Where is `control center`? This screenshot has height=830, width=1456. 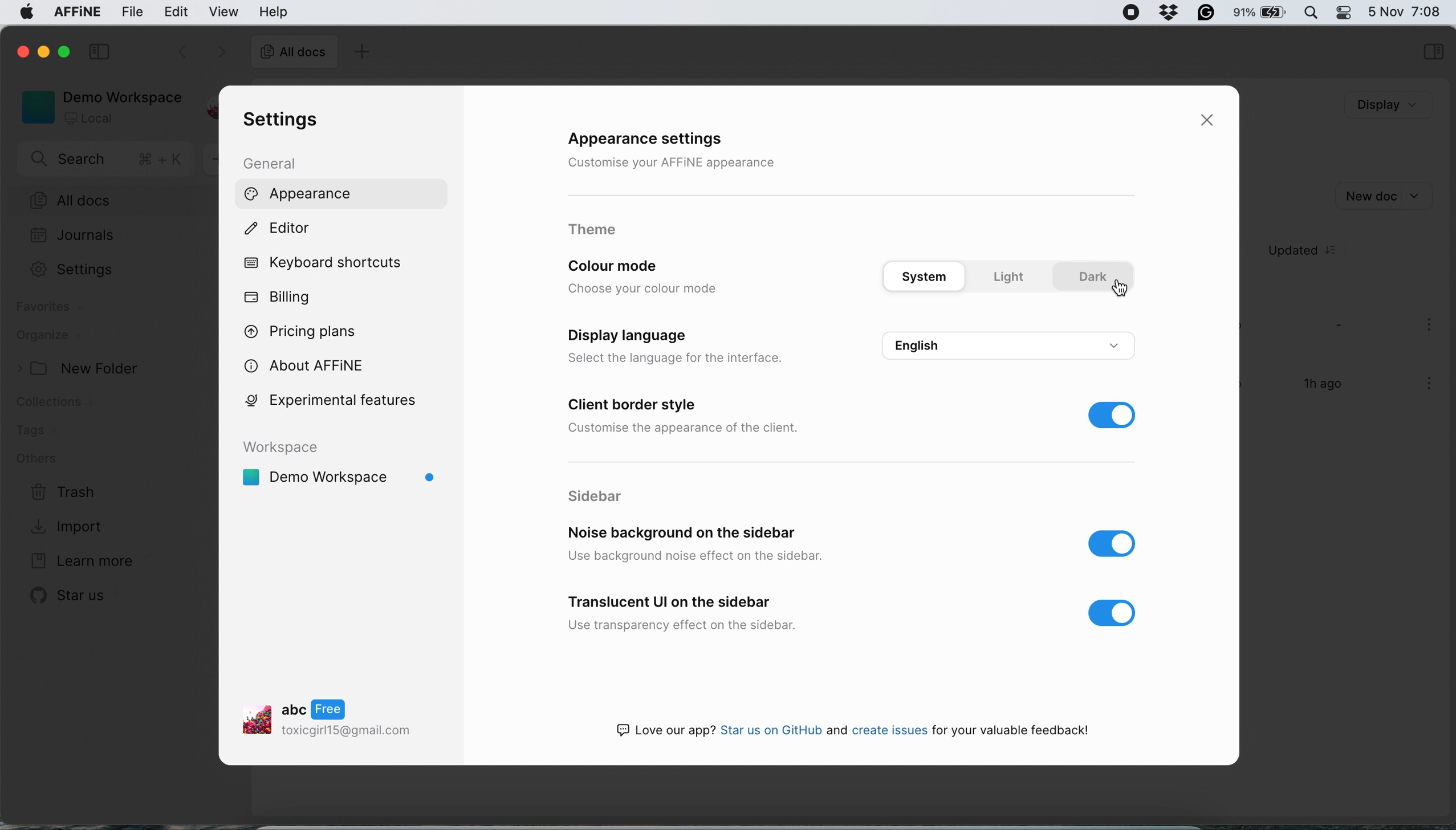
control center is located at coordinates (1348, 14).